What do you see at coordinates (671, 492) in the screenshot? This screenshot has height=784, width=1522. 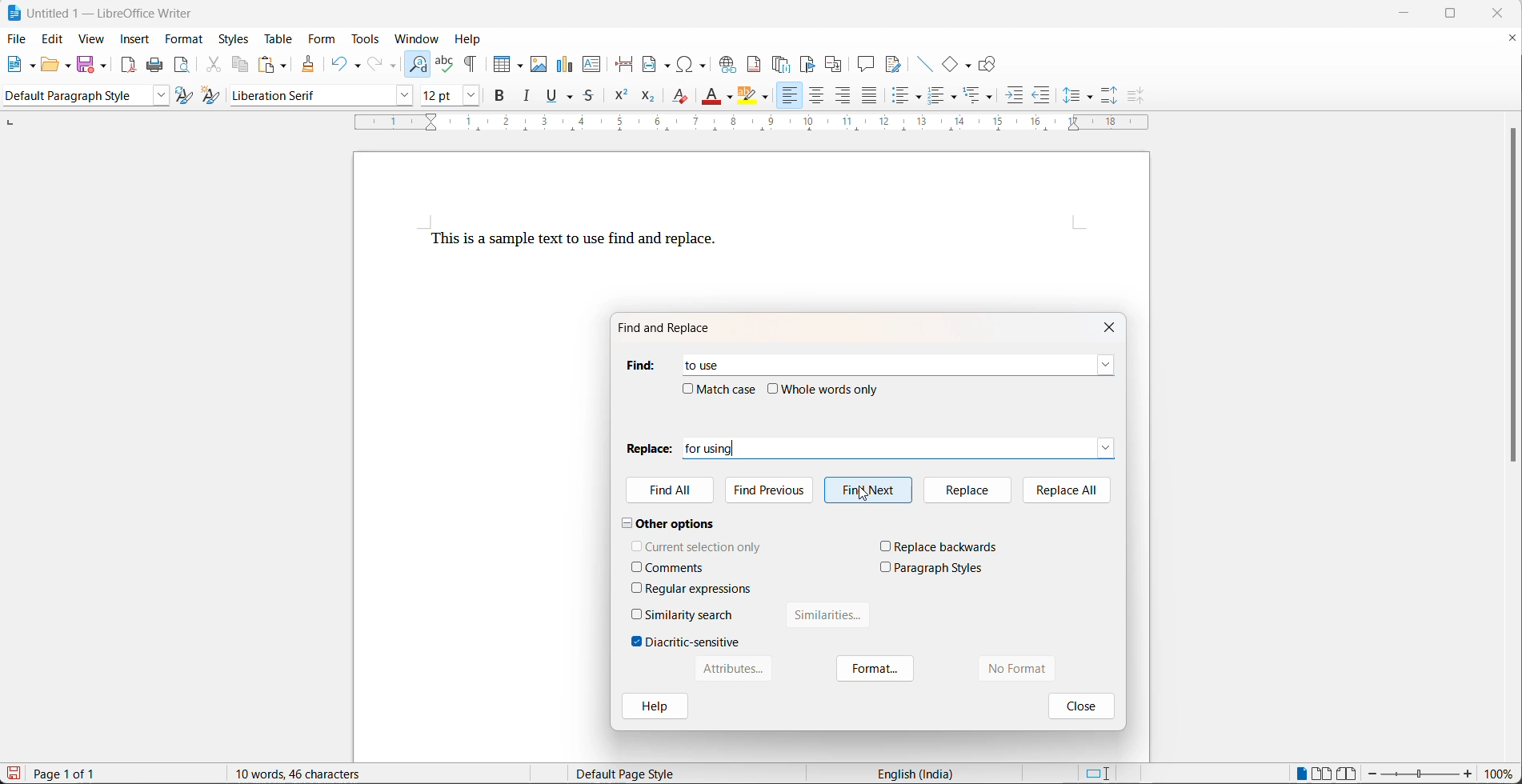 I see `find All` at bounding box center [671, 492].